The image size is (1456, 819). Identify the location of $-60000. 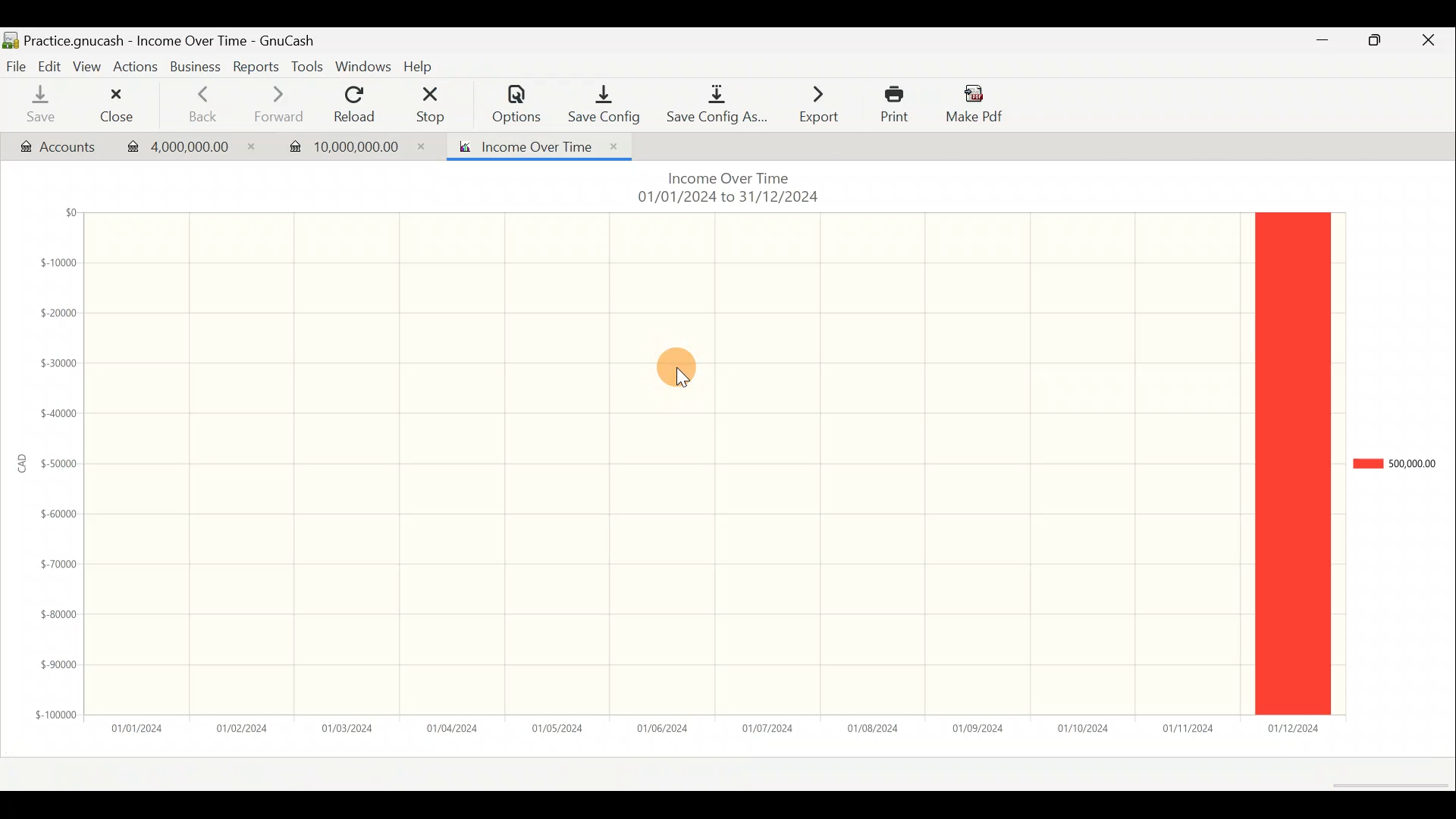
(58, 514).